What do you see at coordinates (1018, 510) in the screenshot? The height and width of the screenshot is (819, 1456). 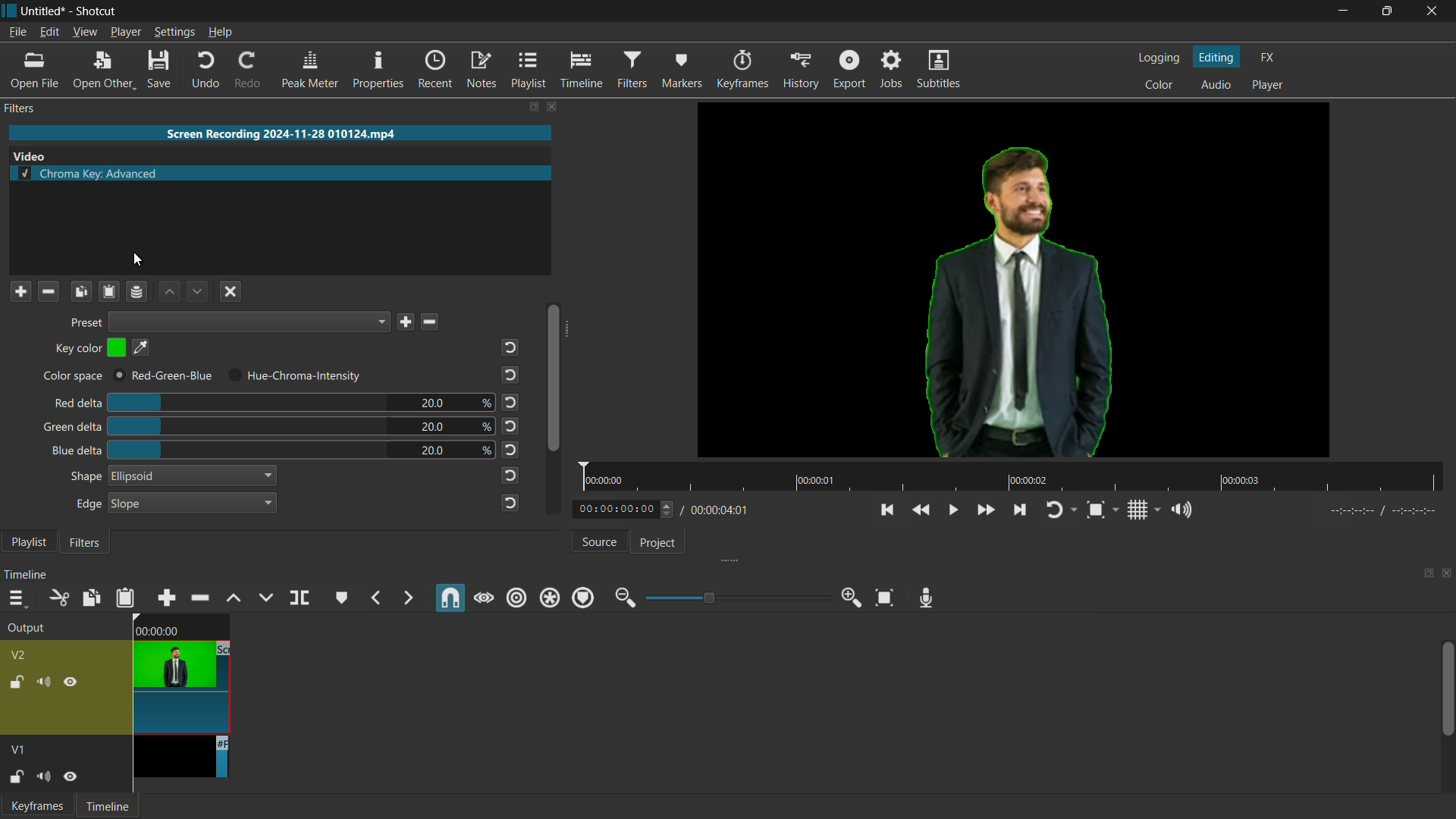 I see `skip to the next point` at bounding box center [1018, 510].